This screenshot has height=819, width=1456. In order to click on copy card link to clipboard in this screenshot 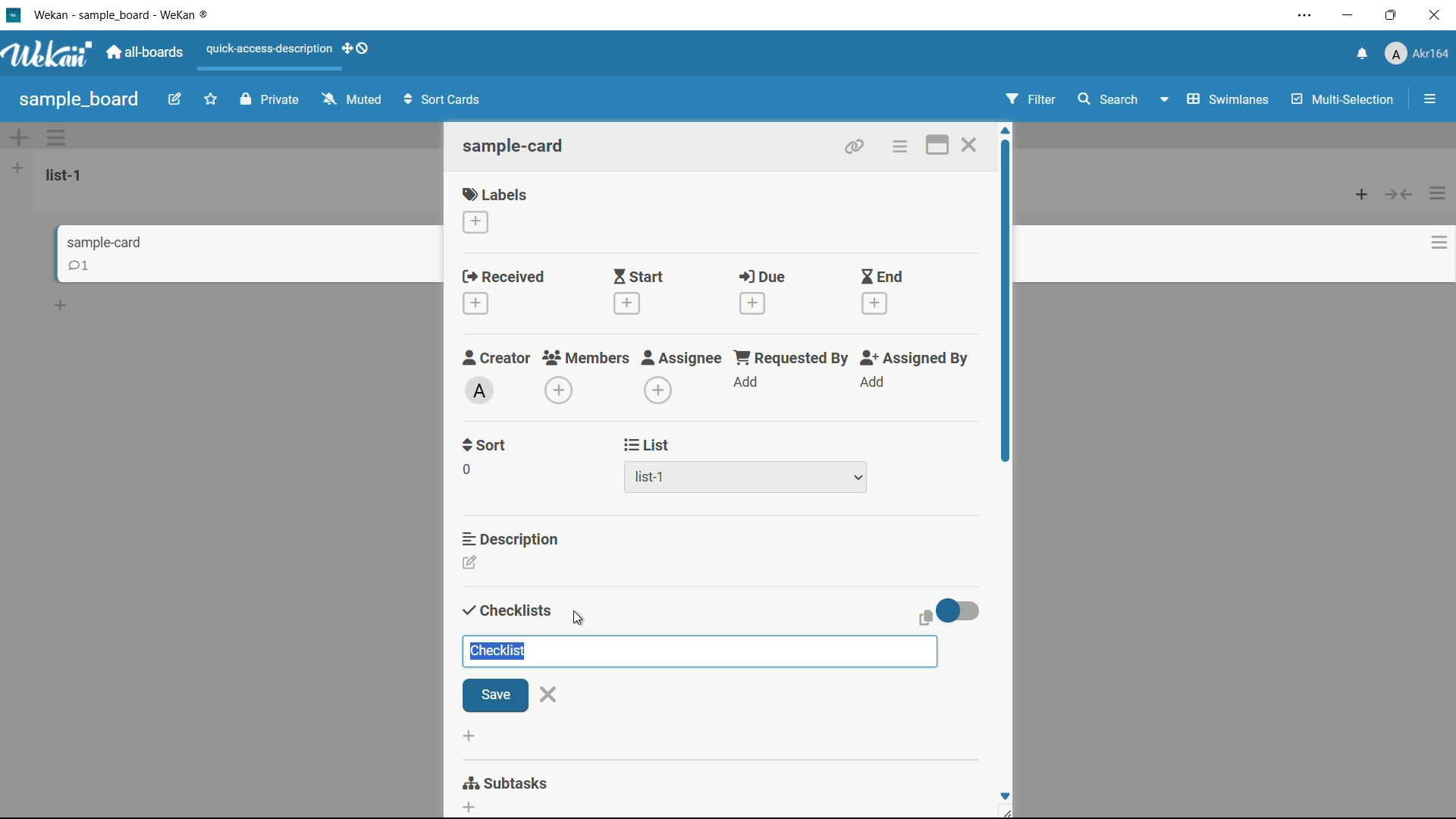, I will do `click(855, 148)`.